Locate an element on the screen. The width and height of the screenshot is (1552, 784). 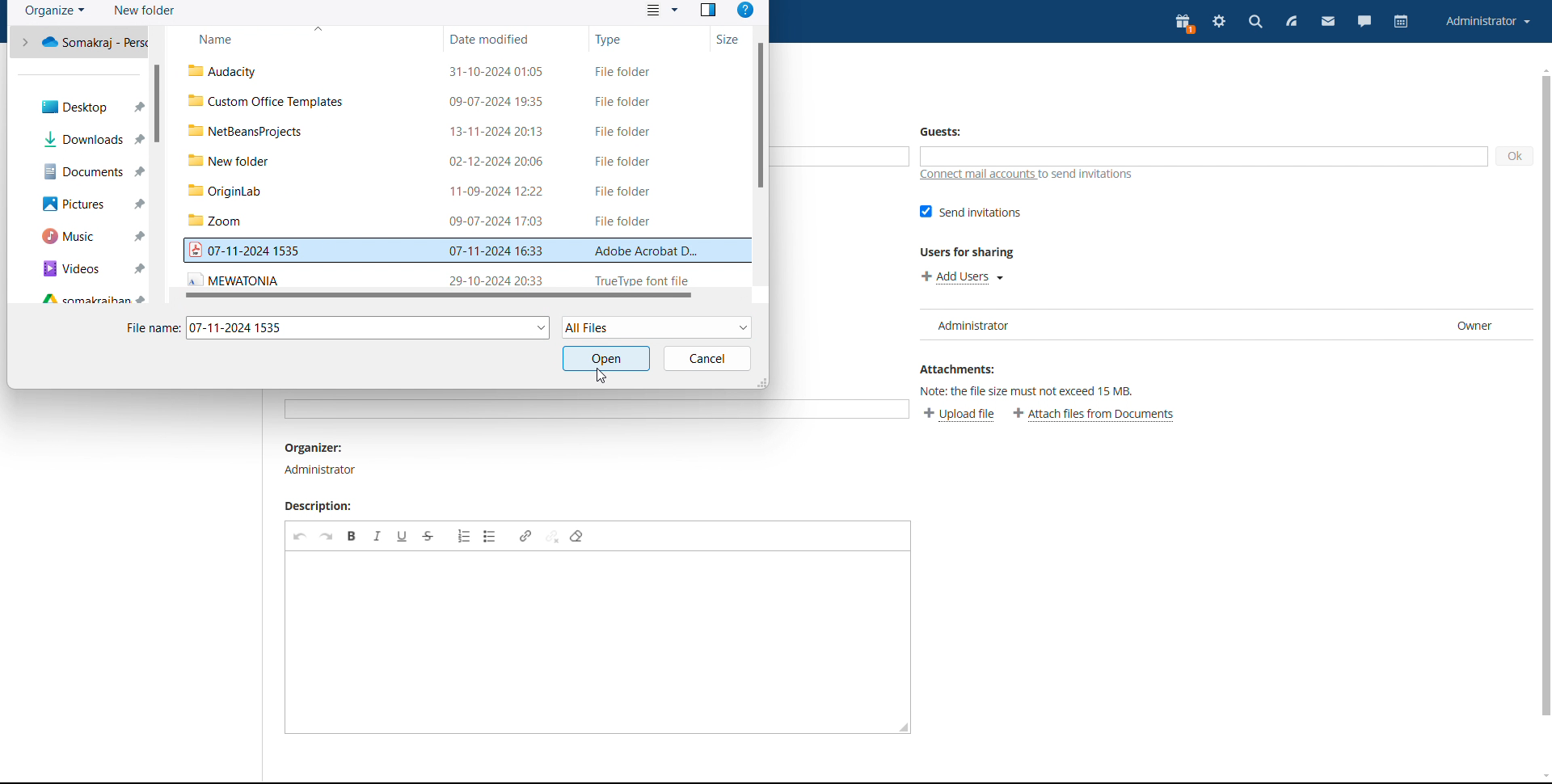
connect mail accounts is located at coordinates (1041, 175).